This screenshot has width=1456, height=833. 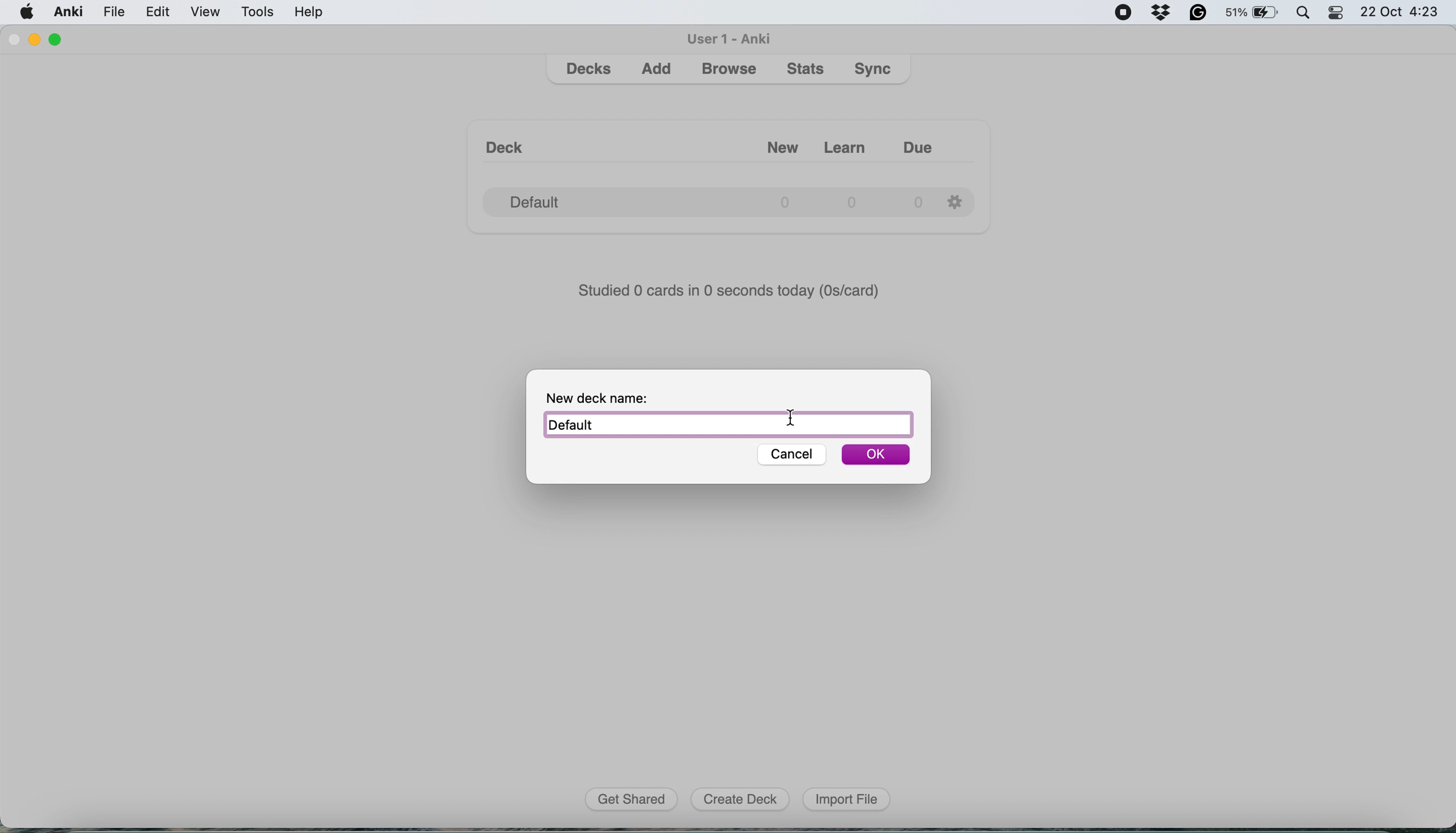 What do you see at coordinates (259, 14) in the screenshot?
I see `tools` at bounding box center [259, 14].